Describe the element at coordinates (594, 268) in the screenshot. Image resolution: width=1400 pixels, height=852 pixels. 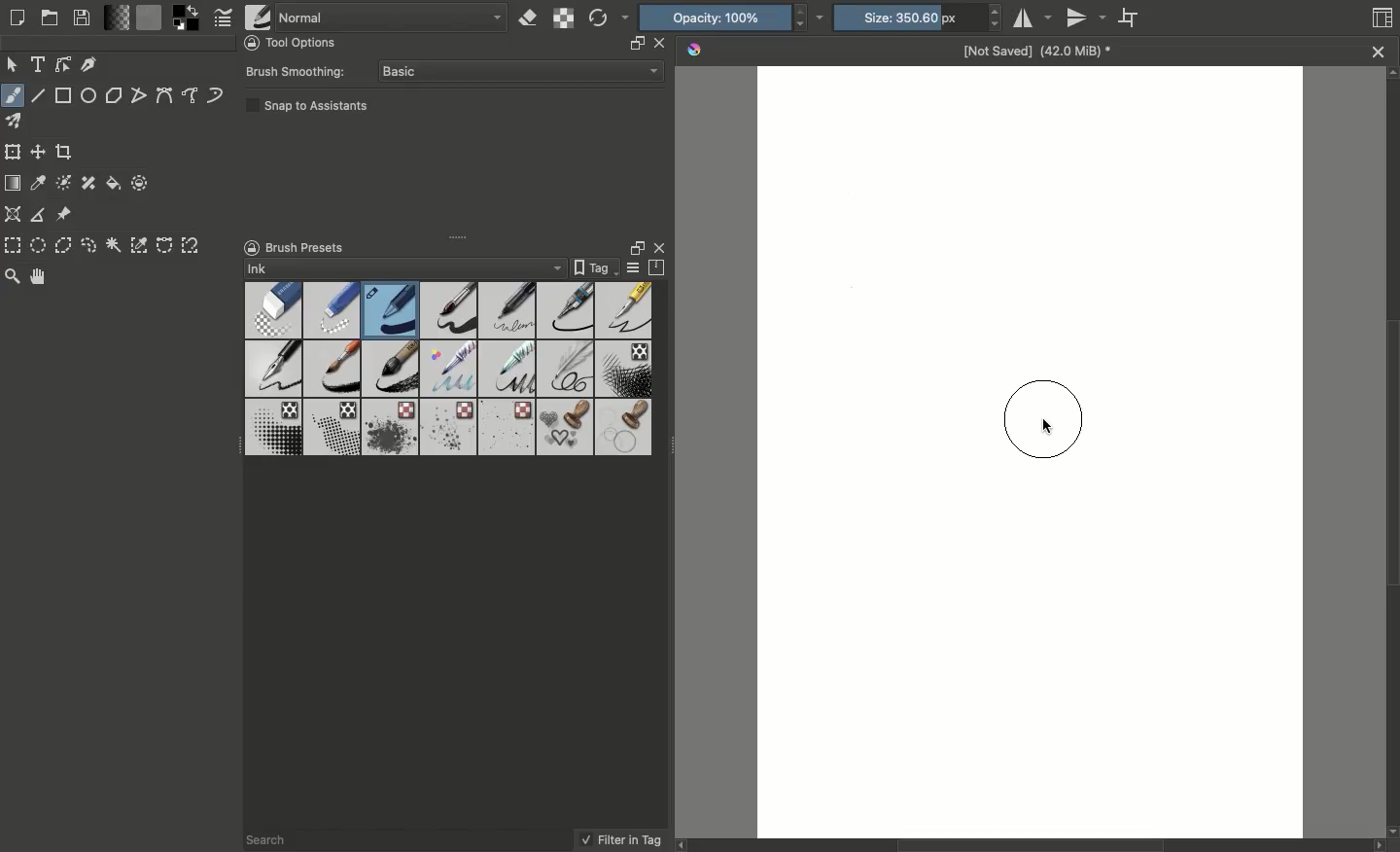
I see `Tag` at that location.